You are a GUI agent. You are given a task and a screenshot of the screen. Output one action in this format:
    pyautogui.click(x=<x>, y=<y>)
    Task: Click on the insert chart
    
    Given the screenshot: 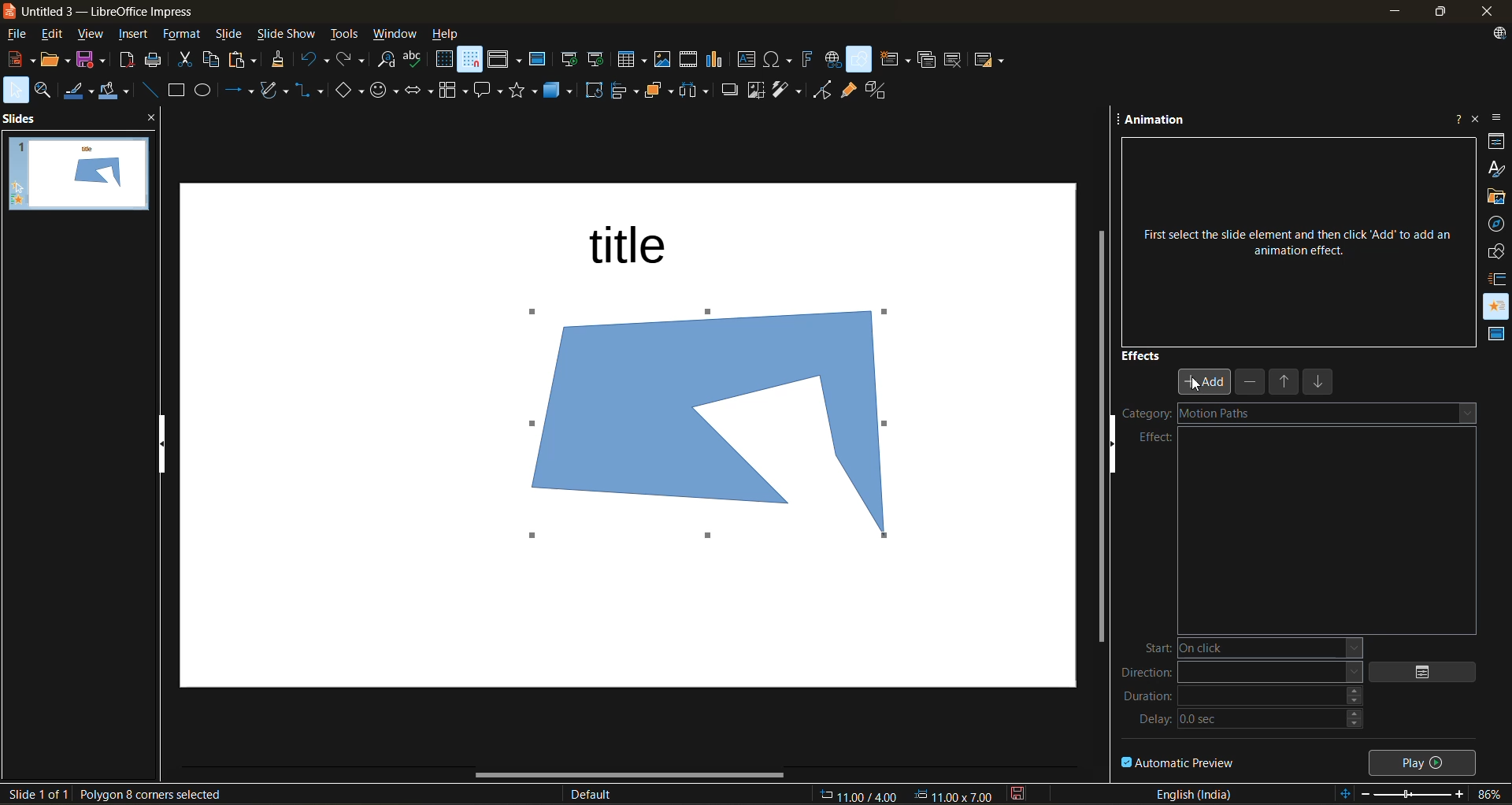 What is the action you would take?
    pyautogui.click(x=714, y=60)
    